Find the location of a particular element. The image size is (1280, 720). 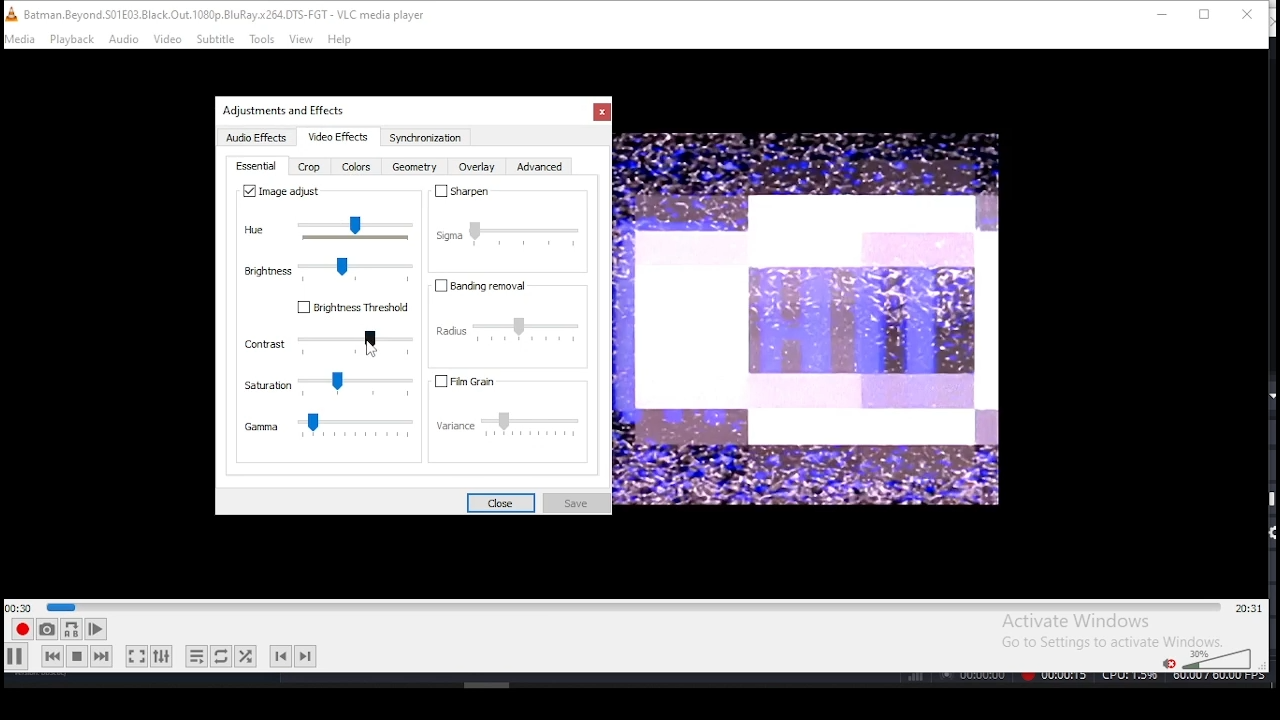

fil grain on/off is located at coordinates (487, 381).